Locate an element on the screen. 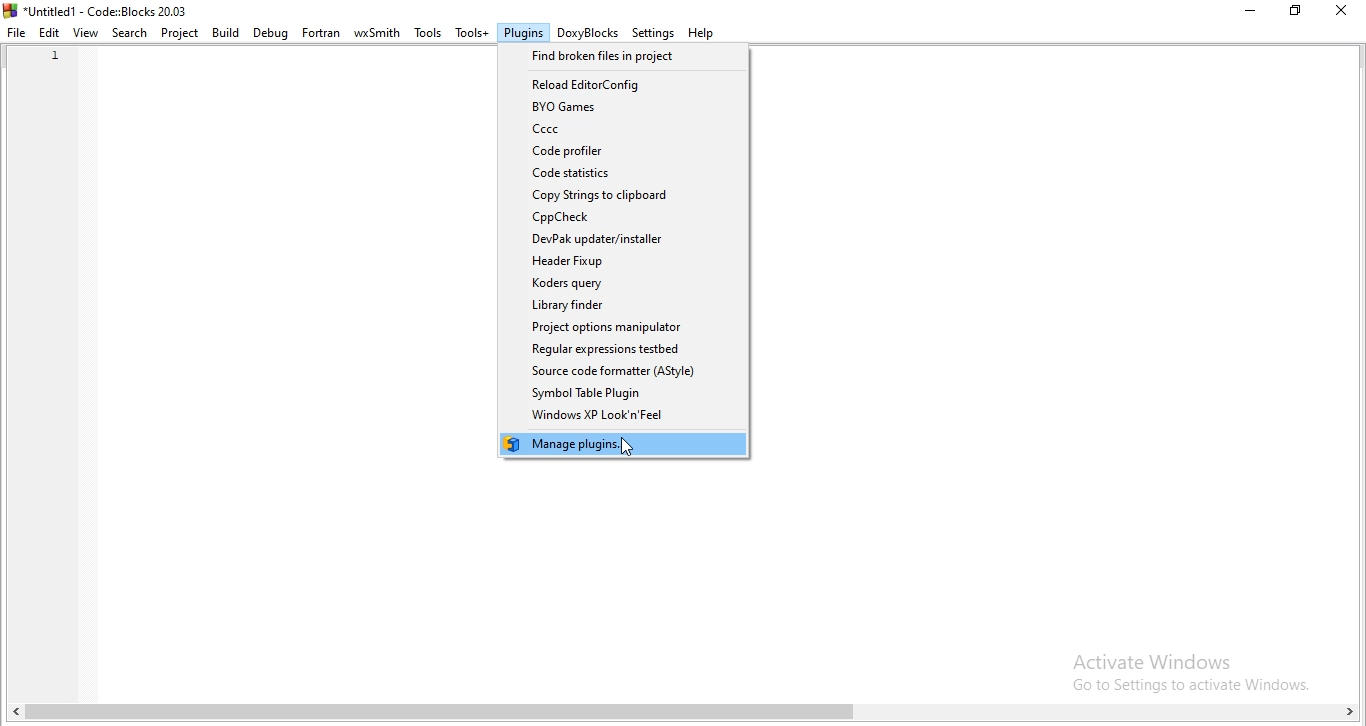 This screenshot has height=726, width=1366. wxSmith is located at coordinates (376, 30).